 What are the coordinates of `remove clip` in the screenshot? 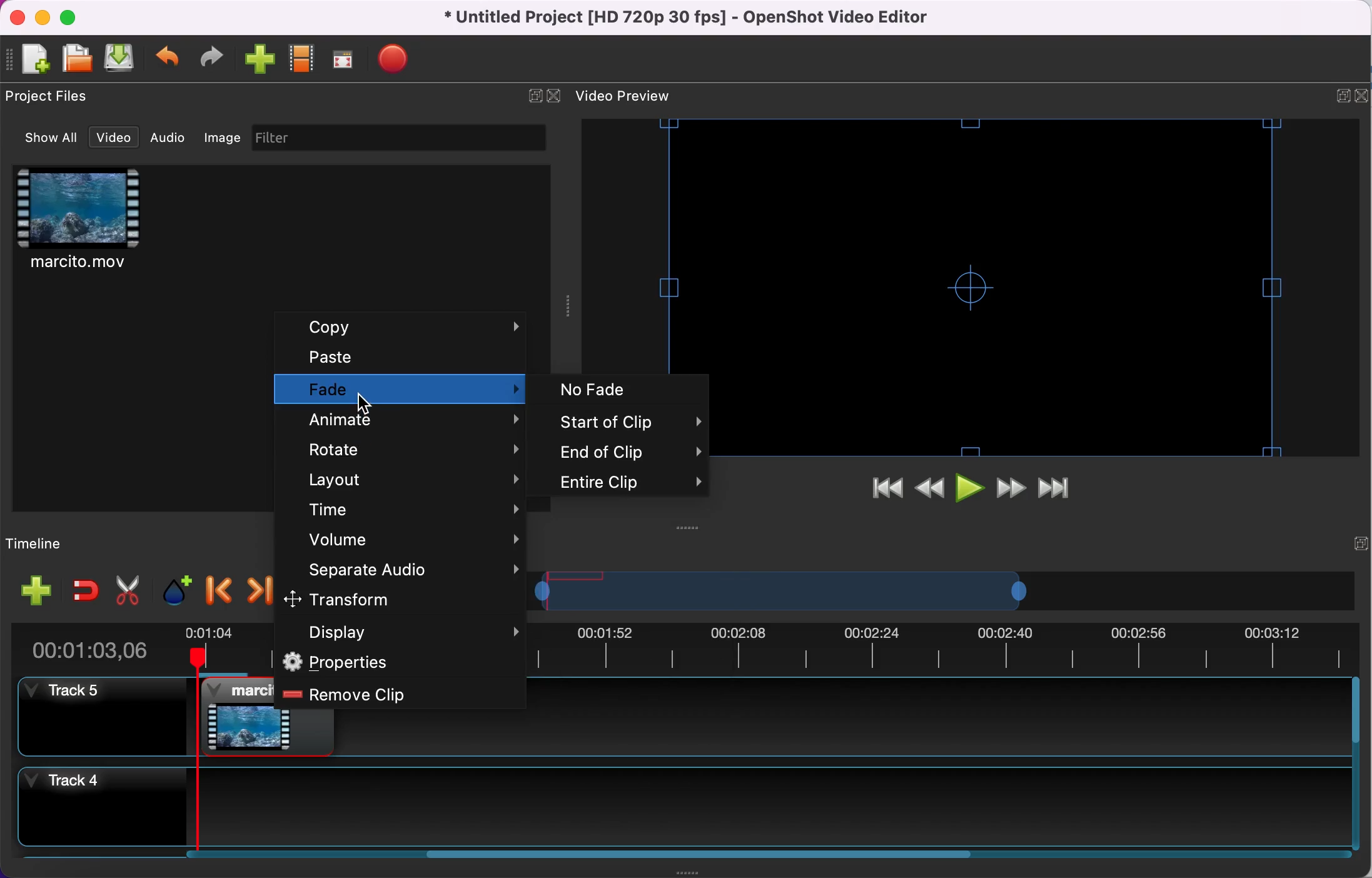 It's located at (381, 695).